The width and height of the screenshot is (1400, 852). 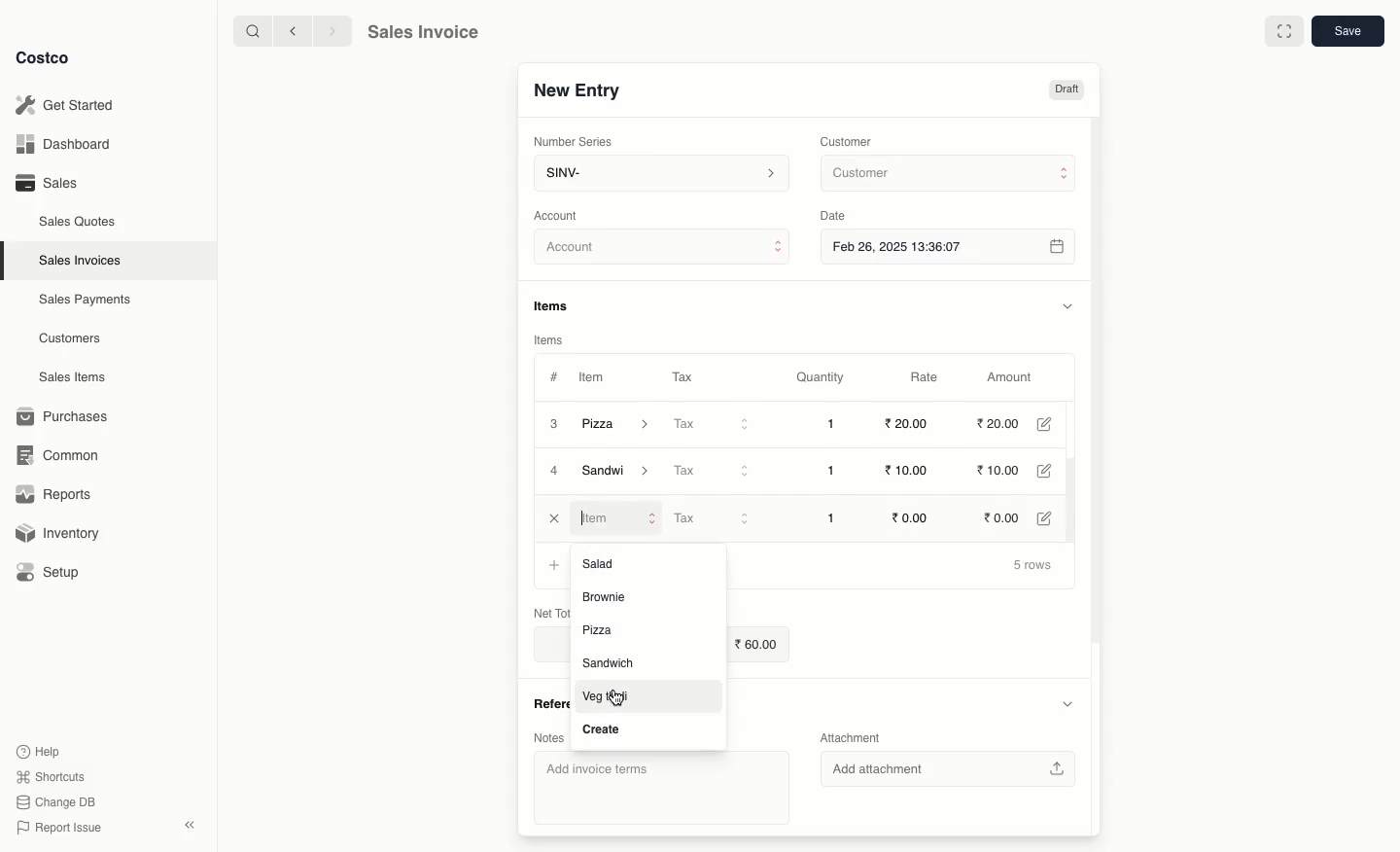 What do you see at coordinates (836, 424) in the screenshot?
I see `1` at bounding box center [836, 424].